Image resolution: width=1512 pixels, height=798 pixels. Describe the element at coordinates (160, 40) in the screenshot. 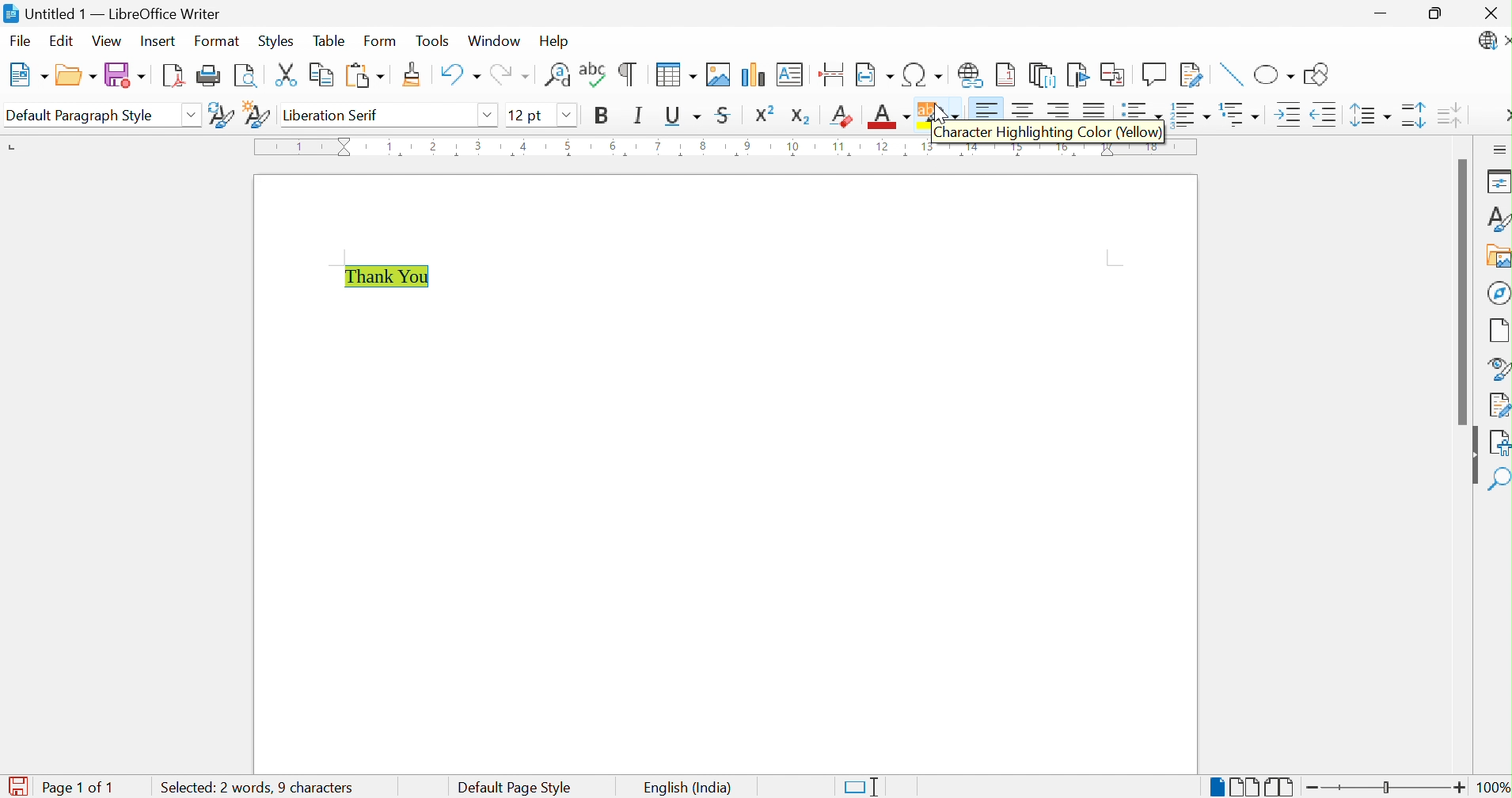

I see `Insert` at that location.